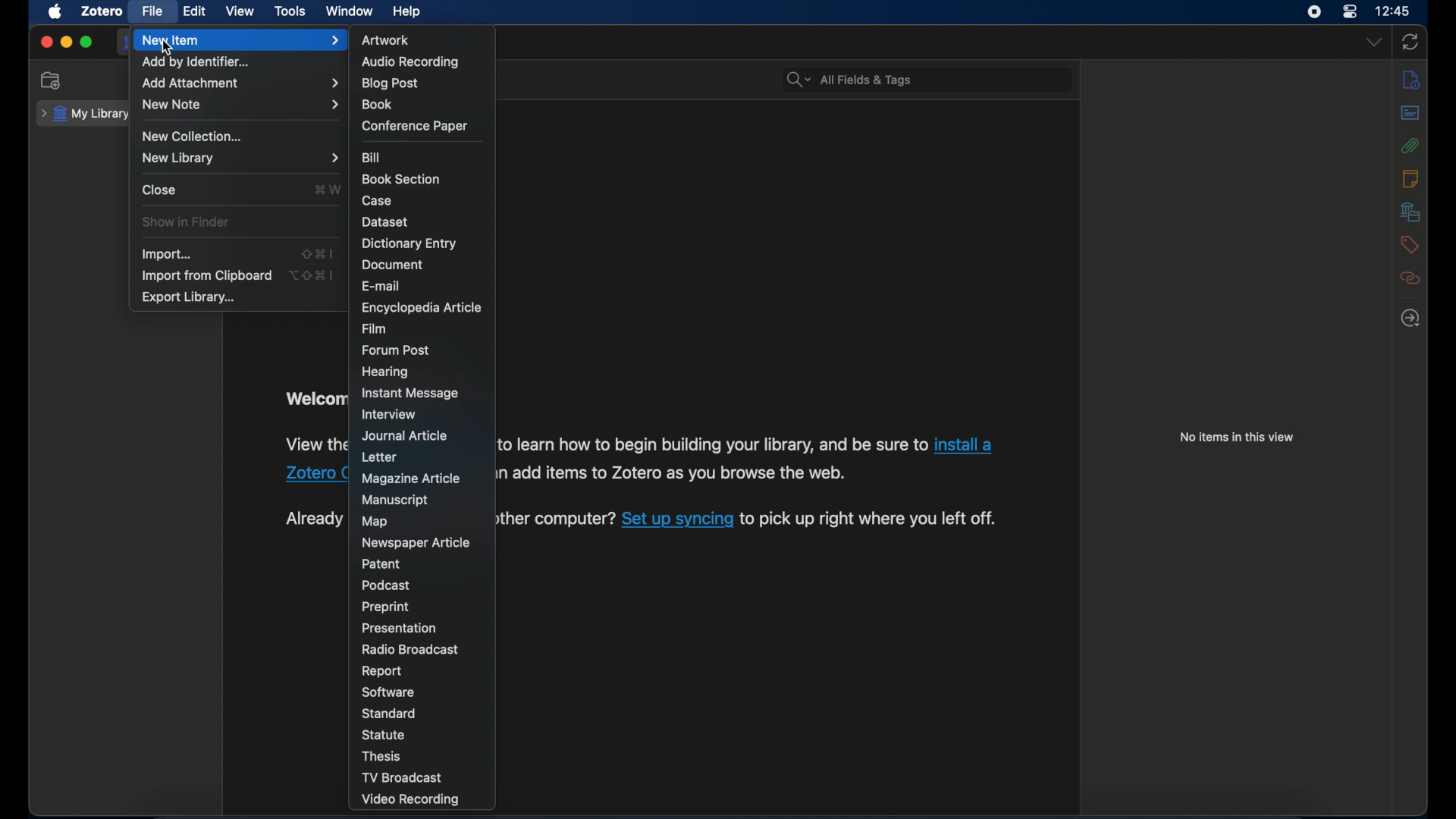 Image resolution: width=1456 pixels, height=819 pixels. I want to click on hearing, so click(384, 372).